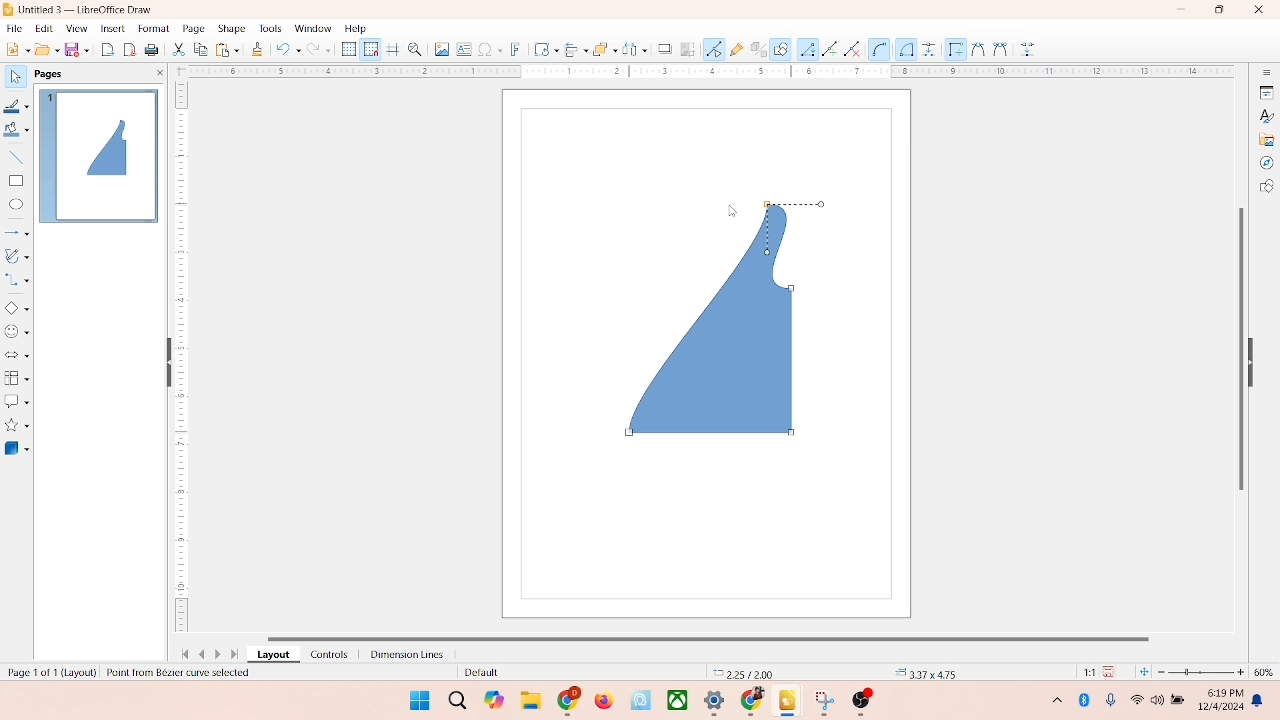  I want to click on undo, so click(288, 51).